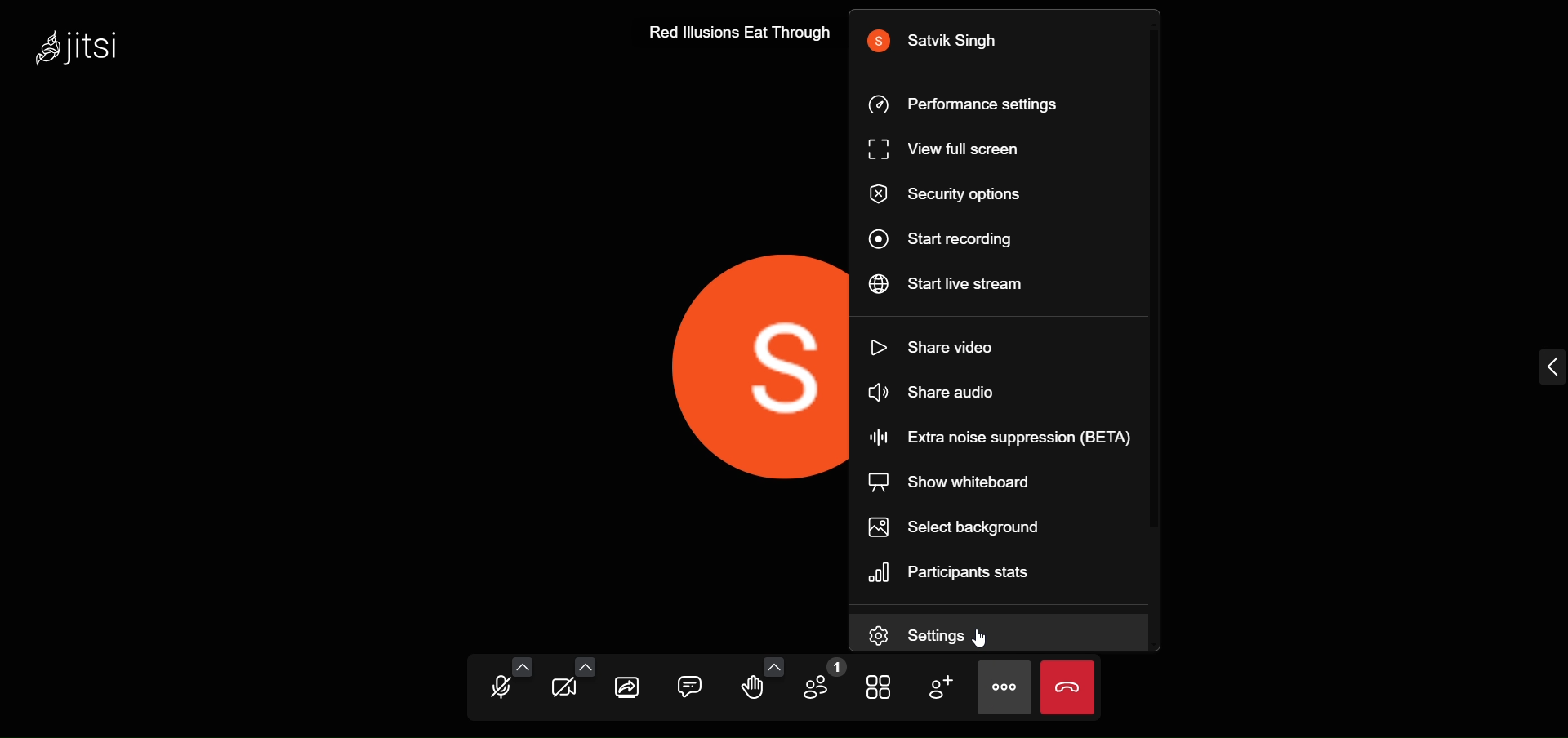  What do you see at coordinates (564, 690) in the screenshot?
I see `camera` at bounding box center [564, 690].